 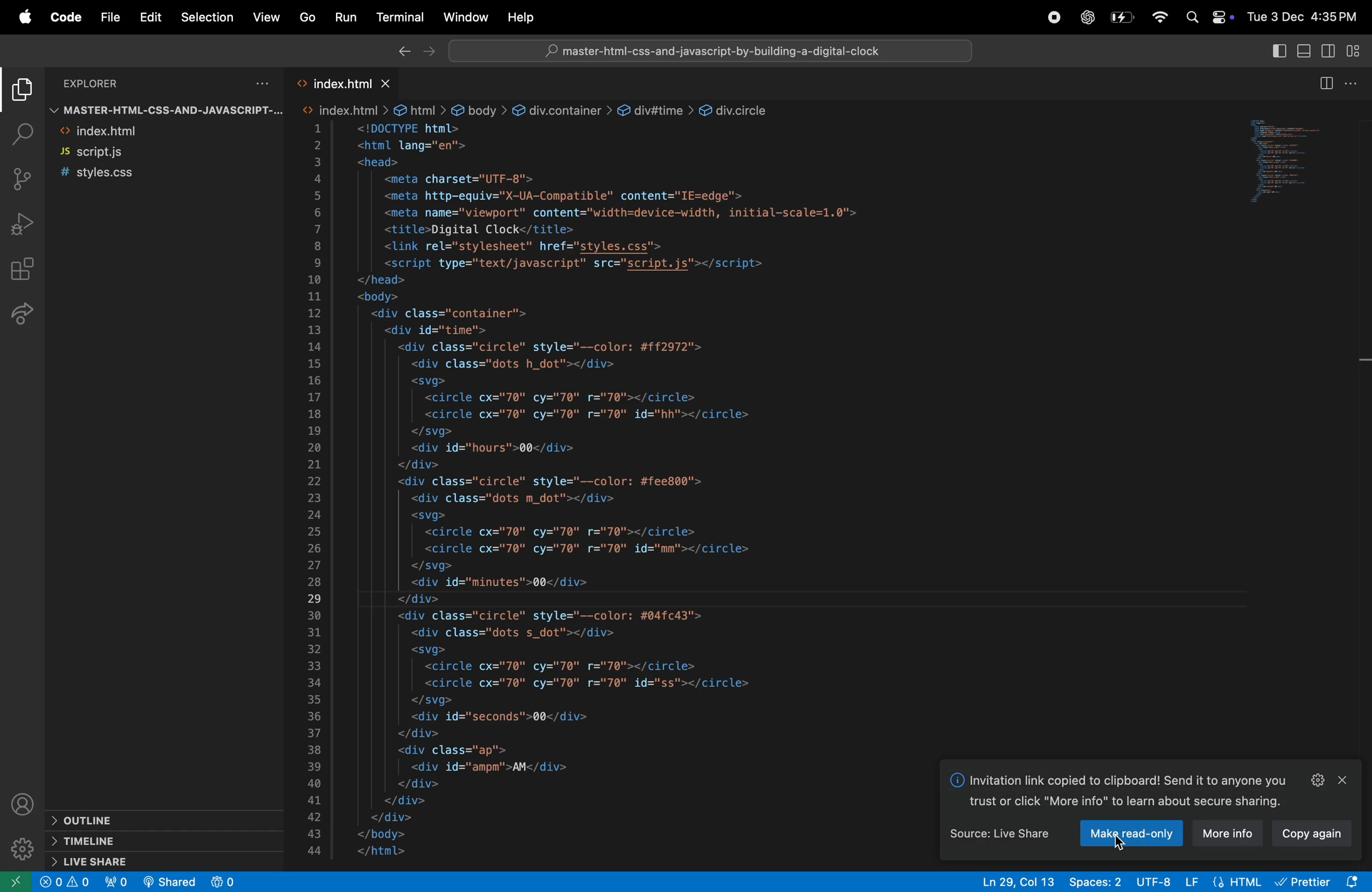 I want to click on apple widgets, so click(x=1210, y=18).